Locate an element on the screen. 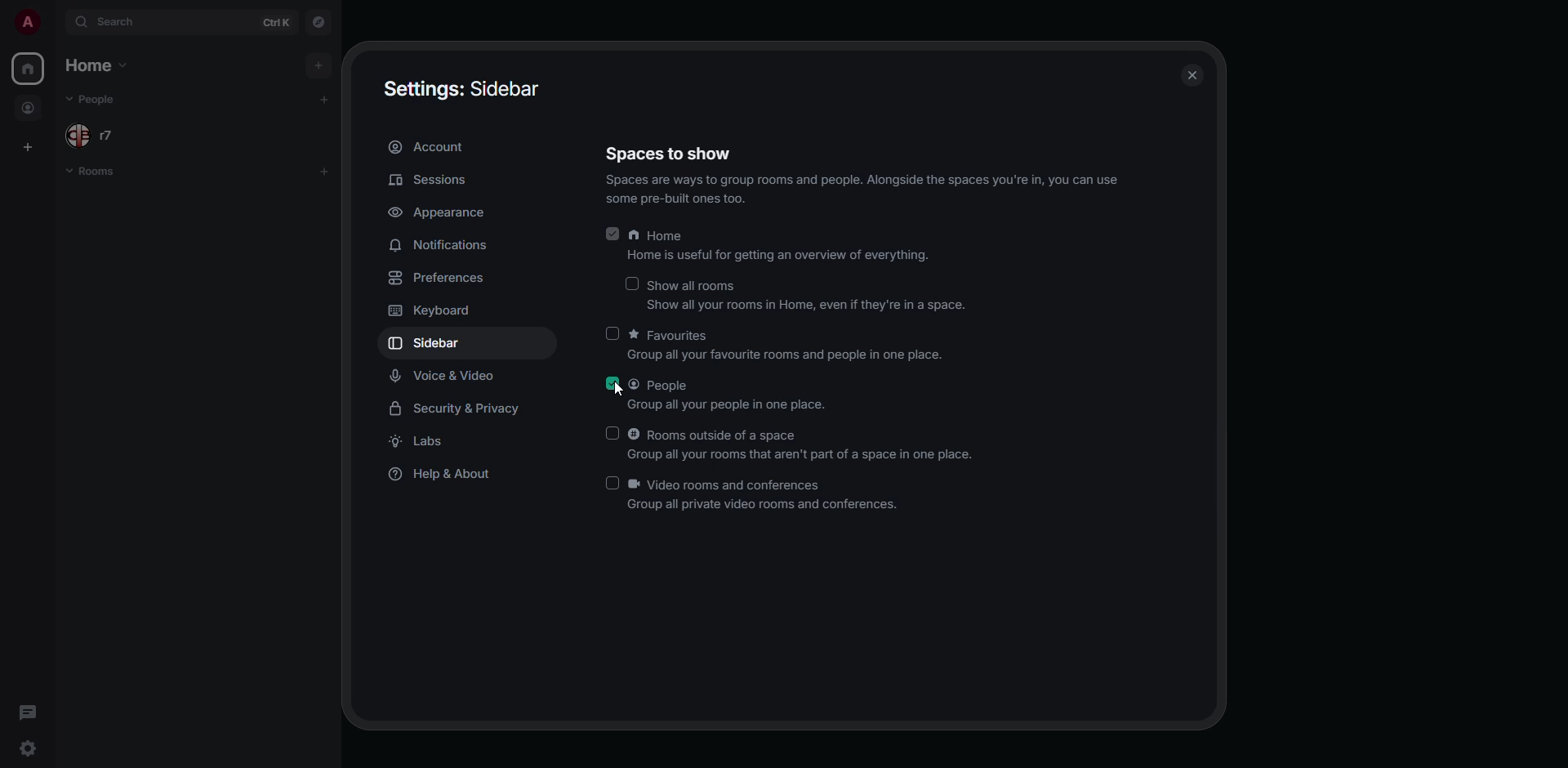  sidebar is located at coordinates (441, 345).